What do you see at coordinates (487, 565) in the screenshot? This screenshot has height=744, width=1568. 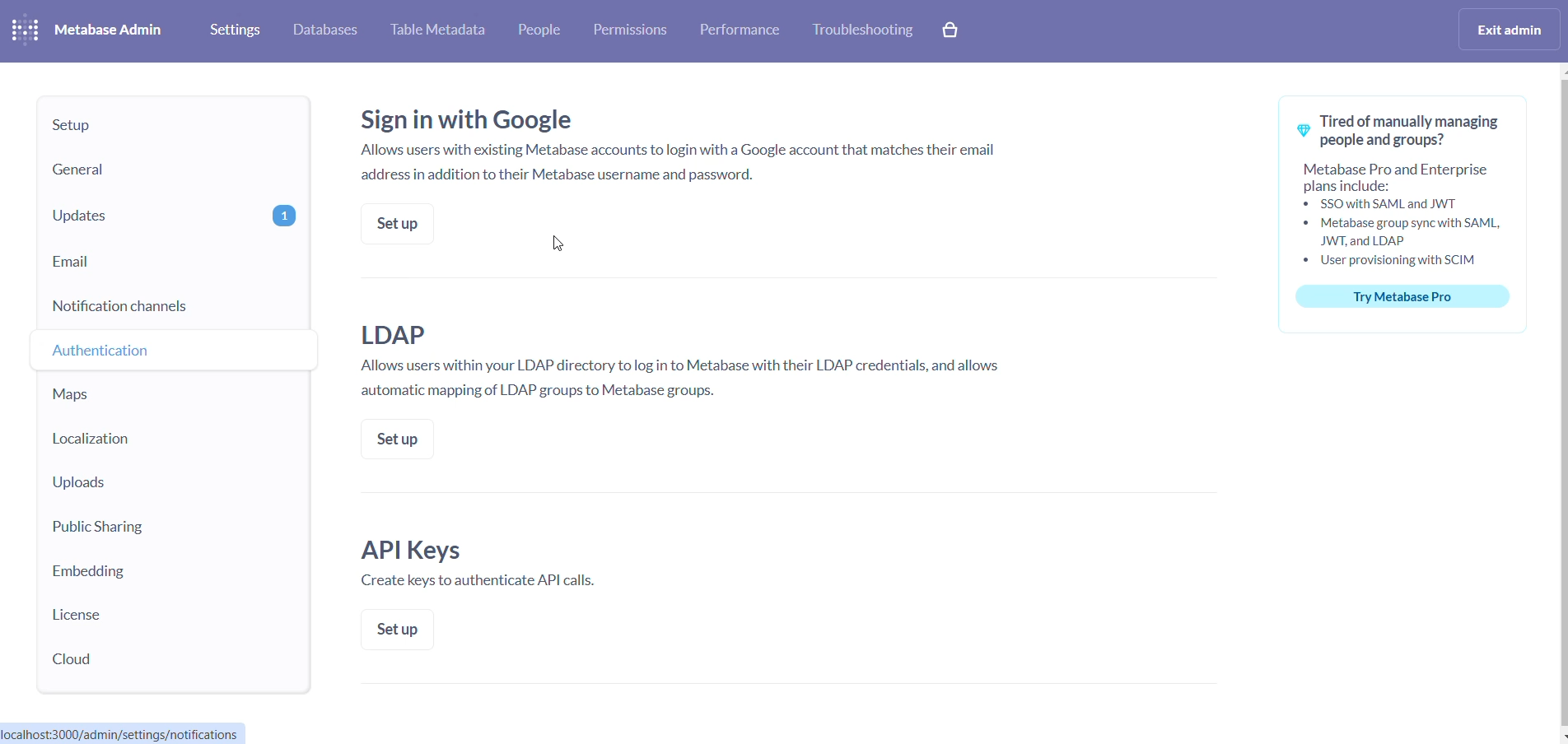 I see `text` at bounding box center [487, 565].